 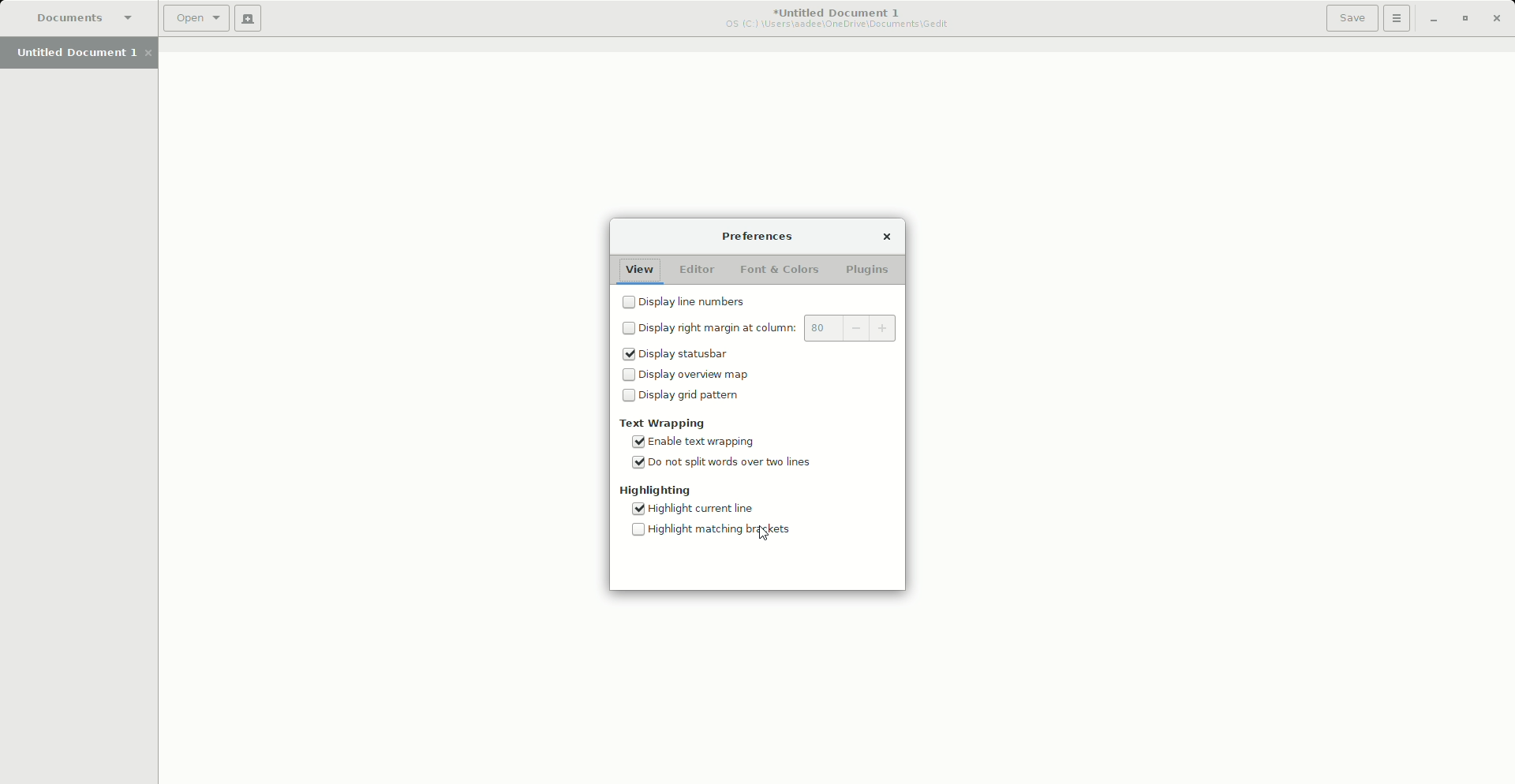 What do you see at coordinates (756, 236) in the screenshot?
I see `Preferences` at bounding box center [756, 236].